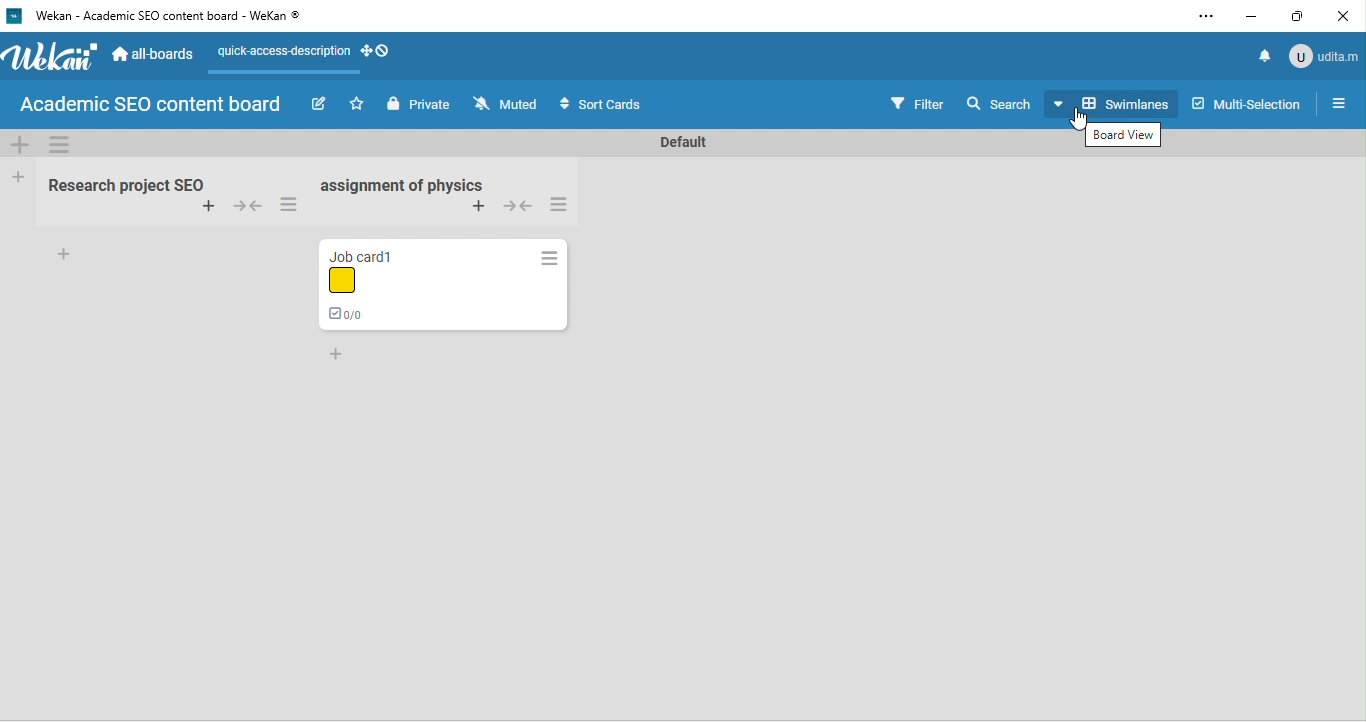  What do you see at coordinates (339, 355) in the screenshot?
I see `add` at bounding box center [339, 355].